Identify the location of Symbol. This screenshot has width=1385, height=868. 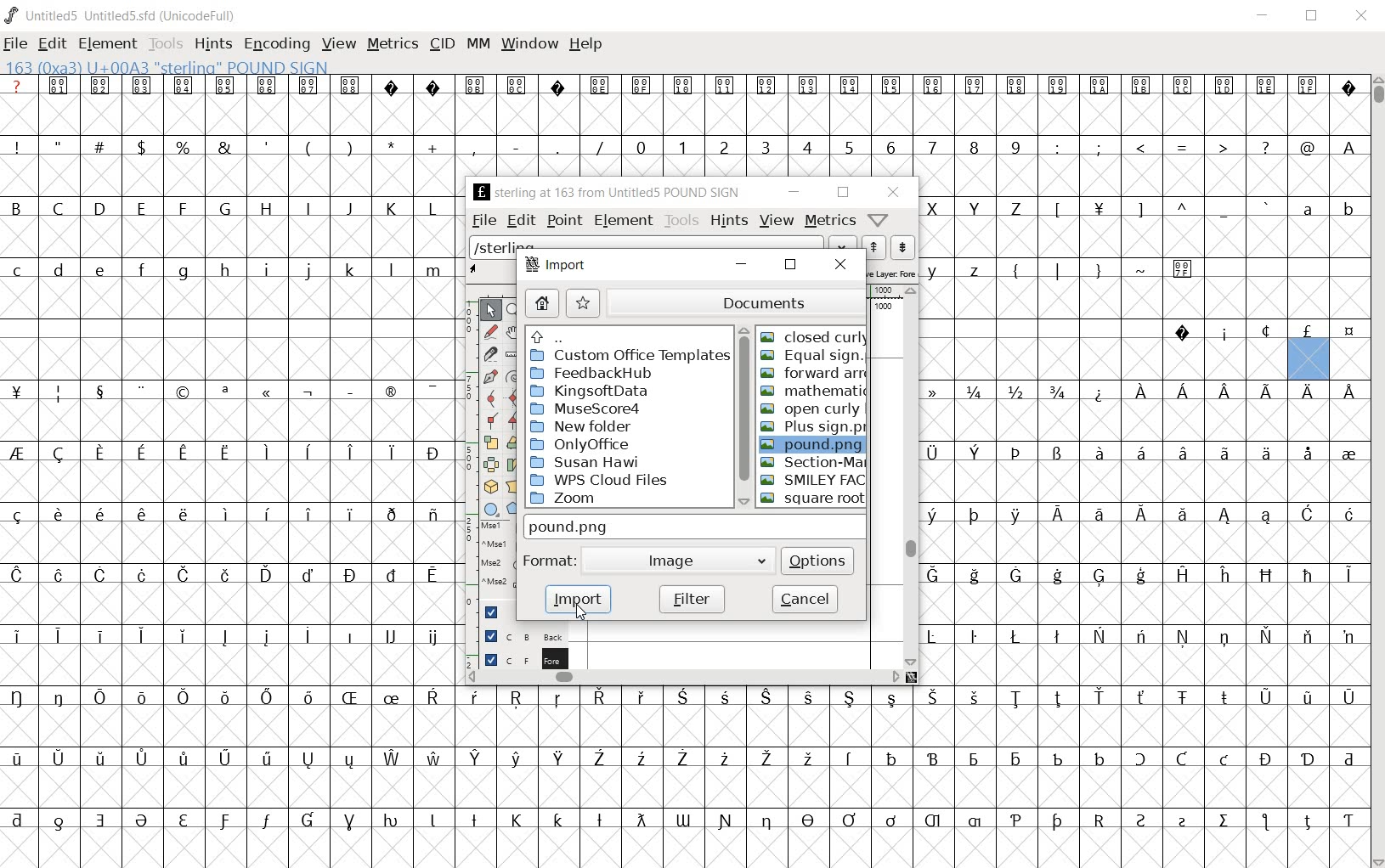
(1348, 389).